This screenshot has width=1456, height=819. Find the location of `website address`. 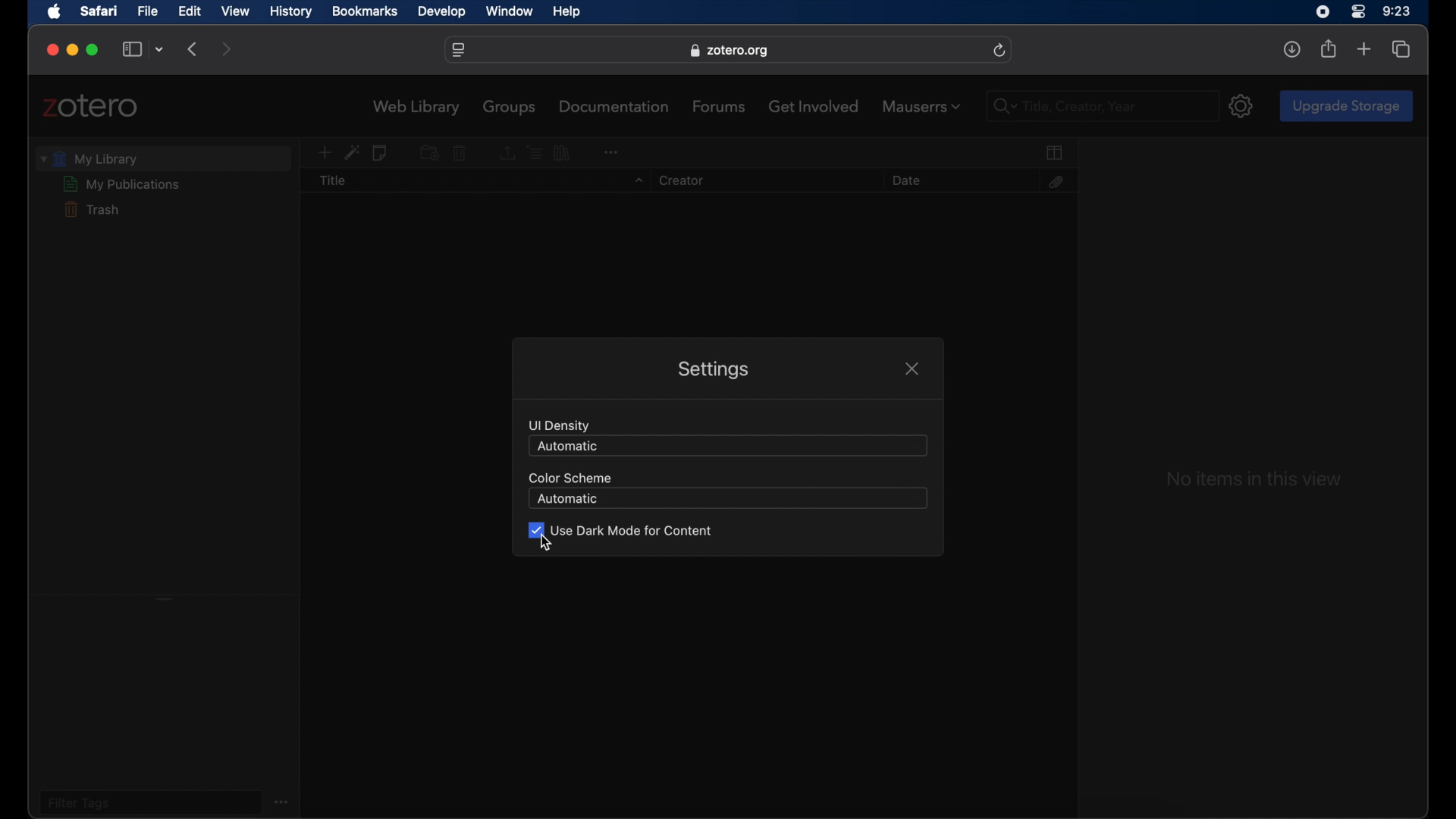

website address is located at coordinates (729, 51).